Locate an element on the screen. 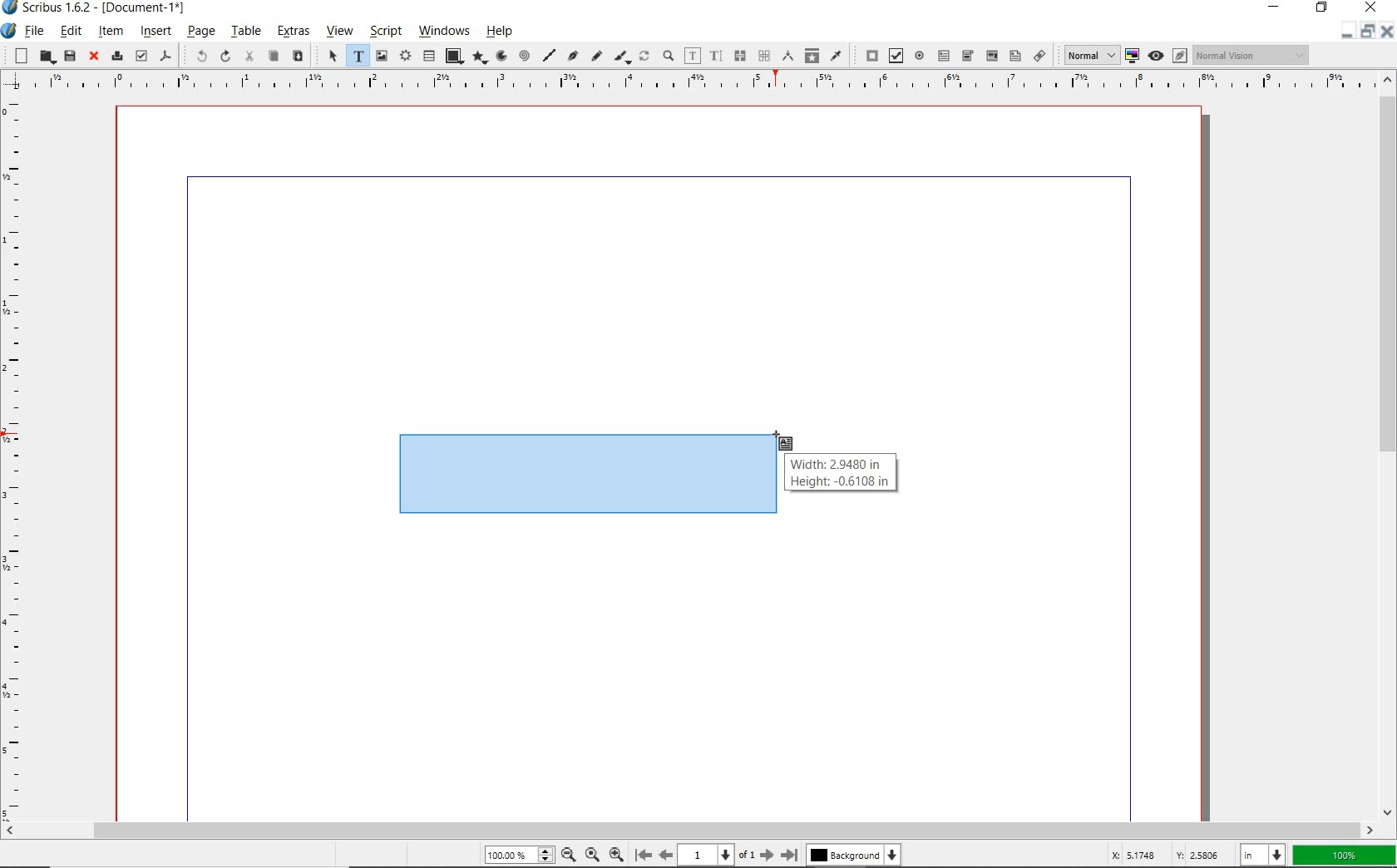  shape is located at coordinates (453, 57).